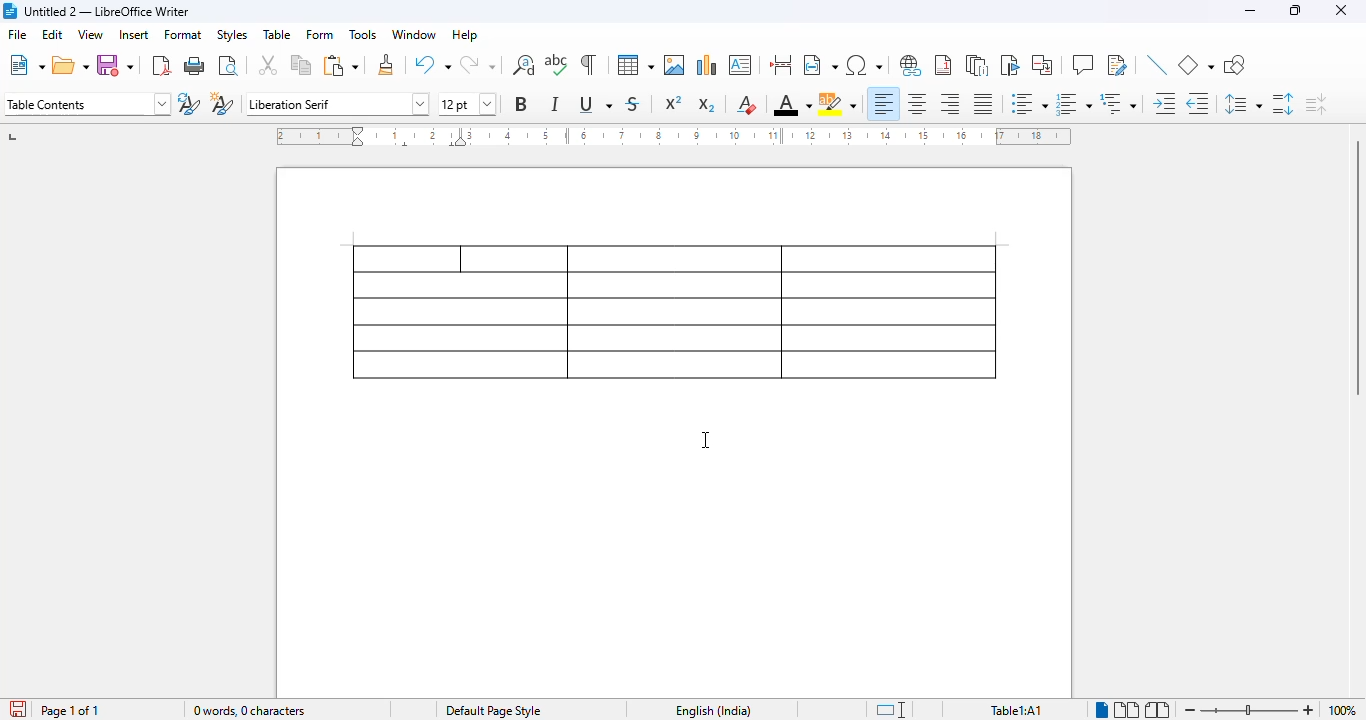  Describe the element at coordinates (1341, 710) in the screenshot. I see `zoom factor` at that location.